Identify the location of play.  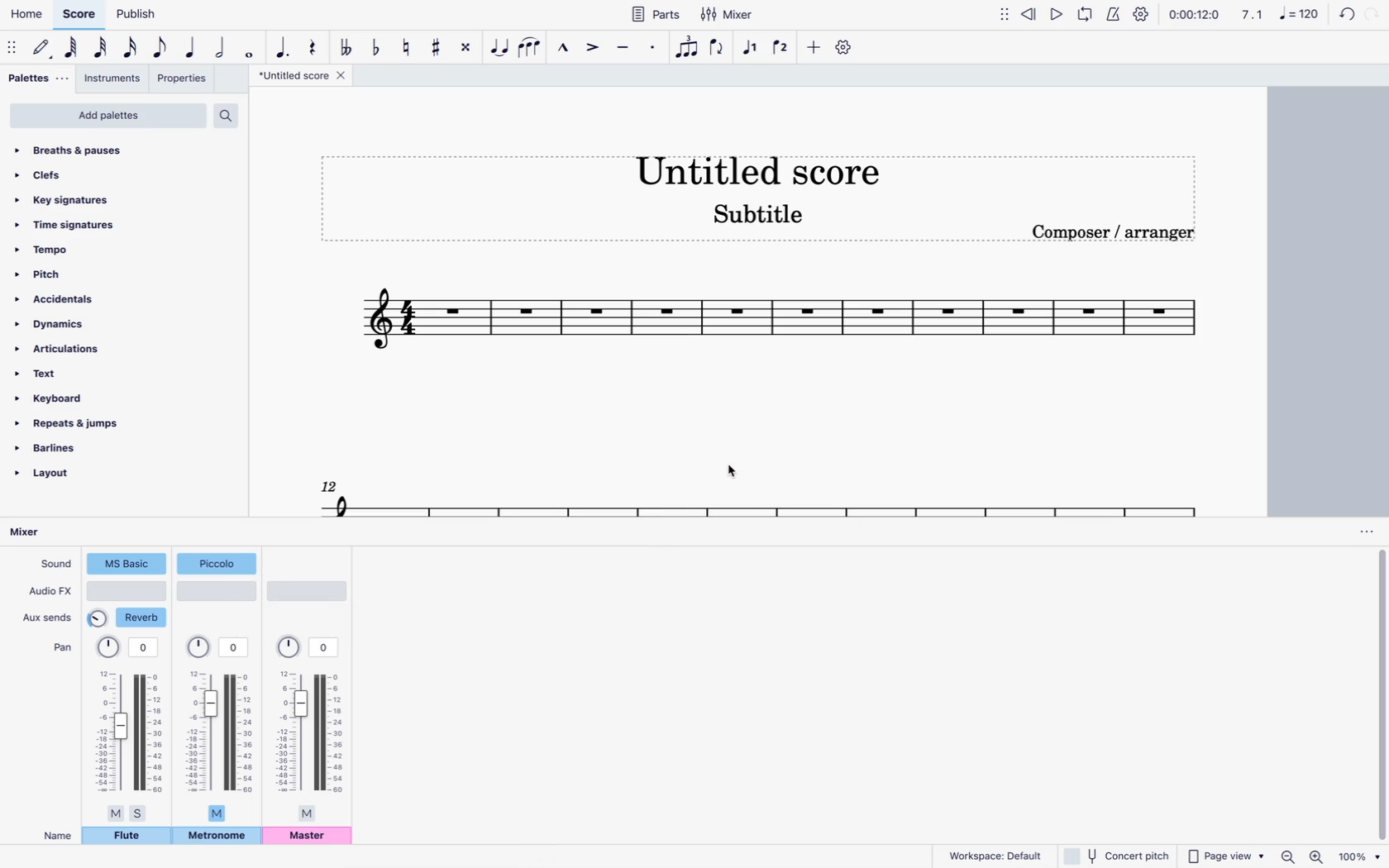
(1056, 14).